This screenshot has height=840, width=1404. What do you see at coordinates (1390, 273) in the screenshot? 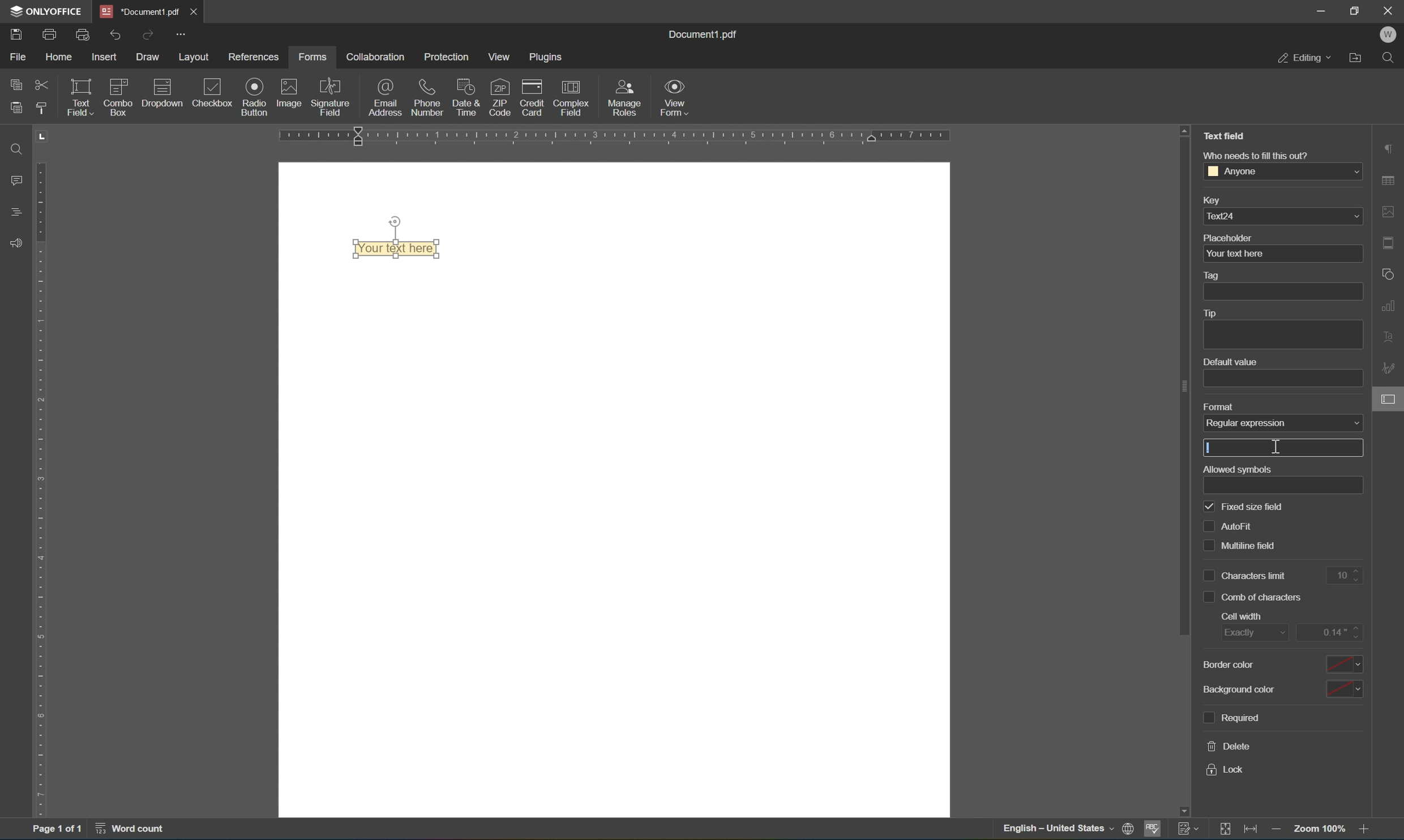
I see `shape settings` at bounding box center [1390, 273].